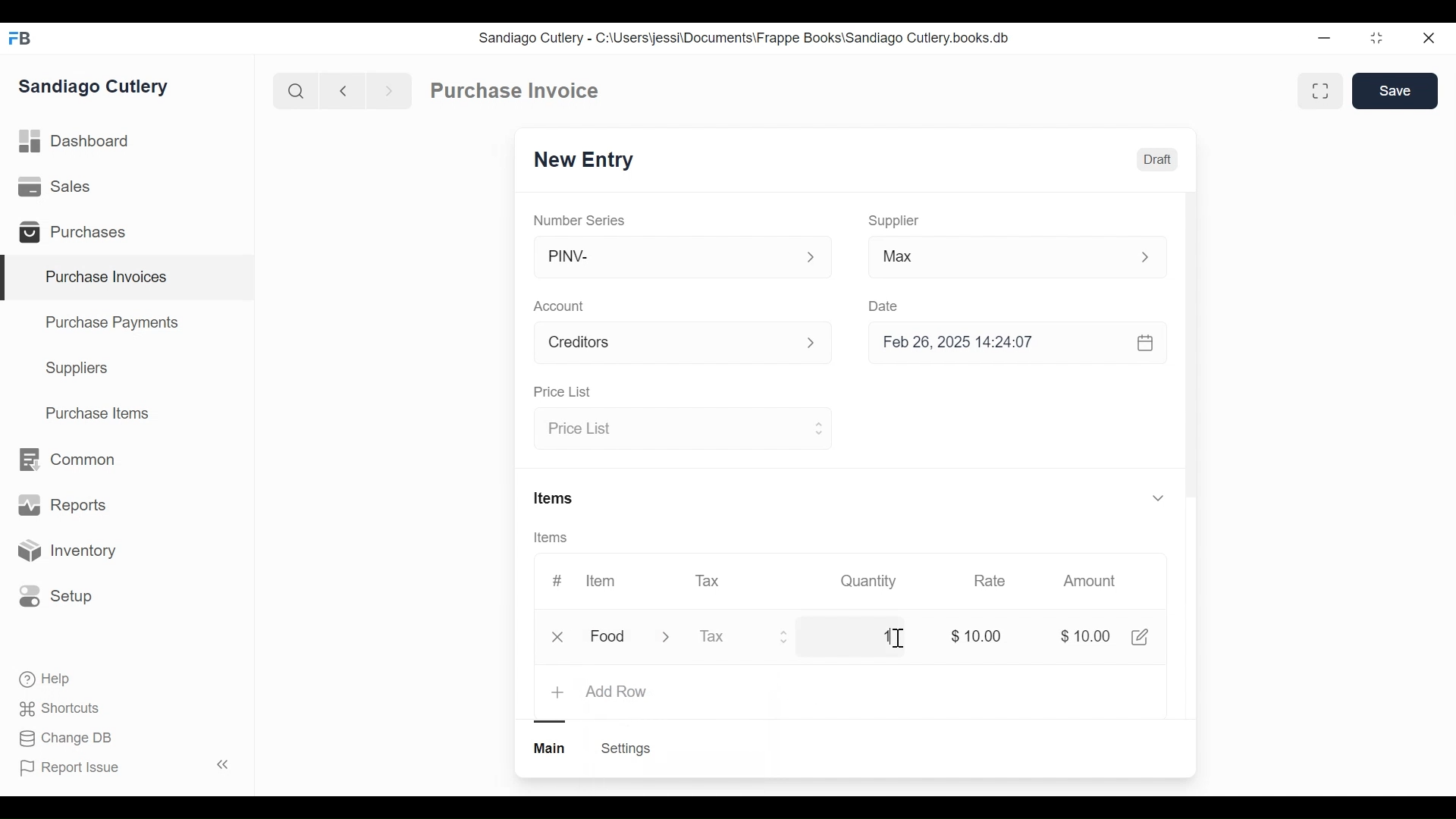 This screenshot has height=819, width=1456. Describe the element at coordinates (561, 393) in the screenshot. I see `Price List` at that location.